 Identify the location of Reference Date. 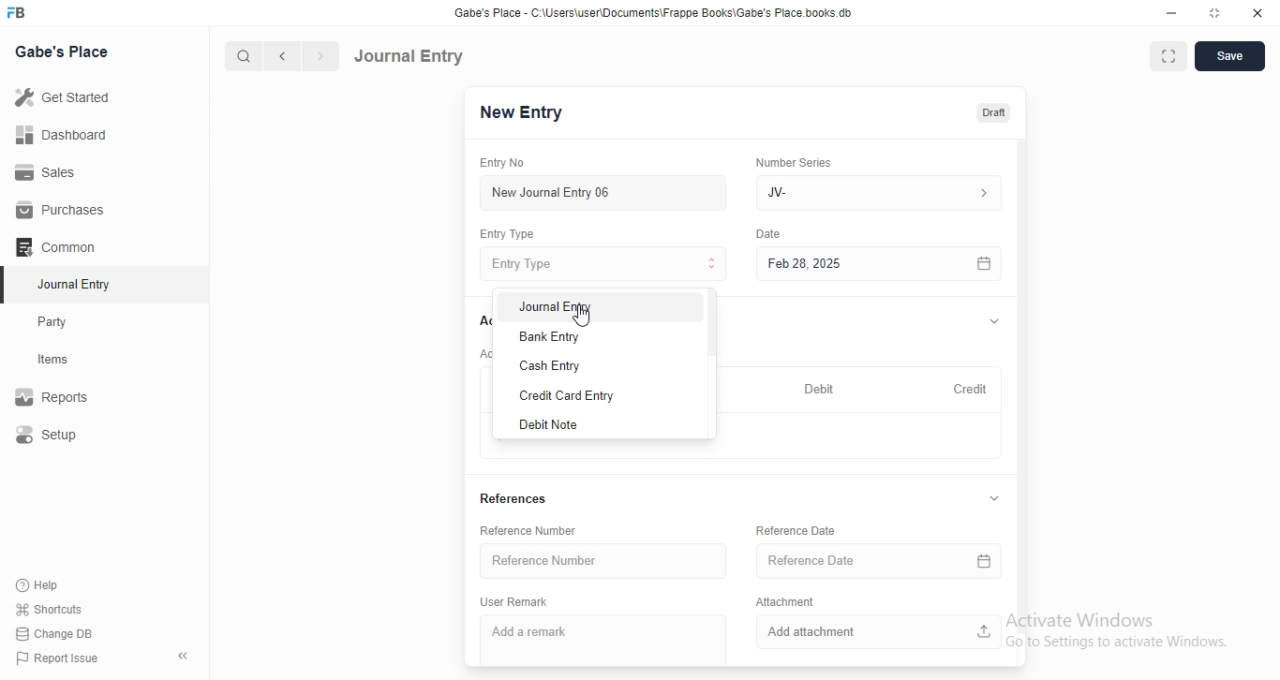
(809, 530).